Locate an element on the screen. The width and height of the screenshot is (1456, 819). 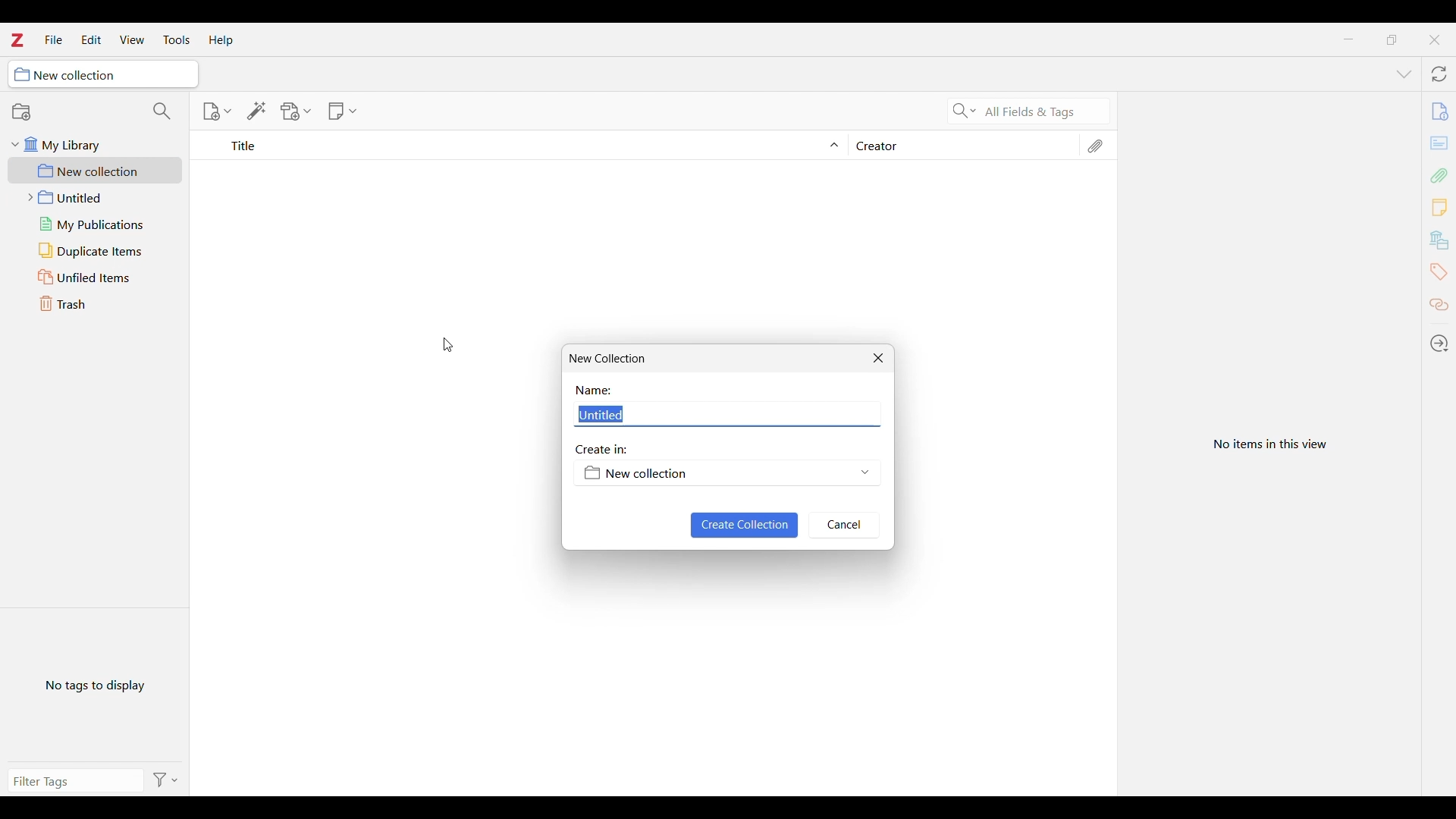
No tags to display  is located at coordinates (97, 686).